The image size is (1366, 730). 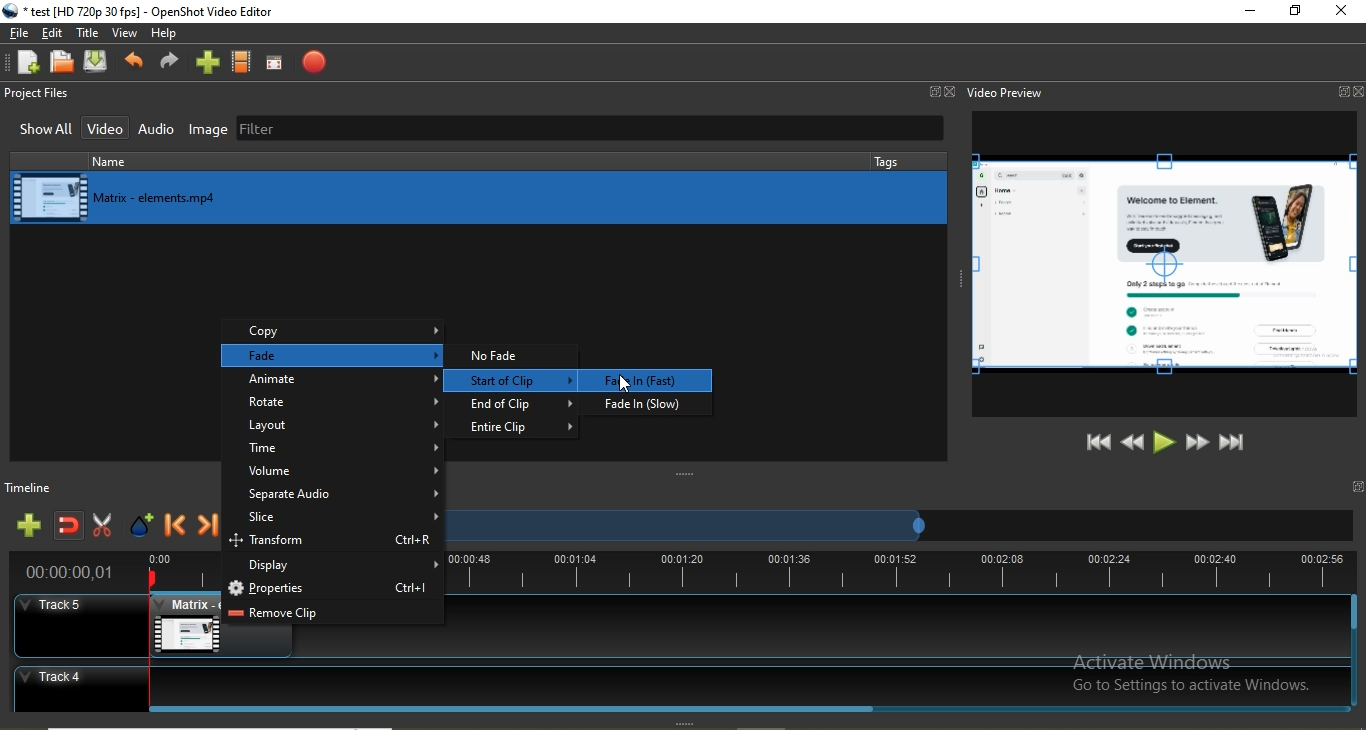 I want to click on close, so click(x=1341, y=12).